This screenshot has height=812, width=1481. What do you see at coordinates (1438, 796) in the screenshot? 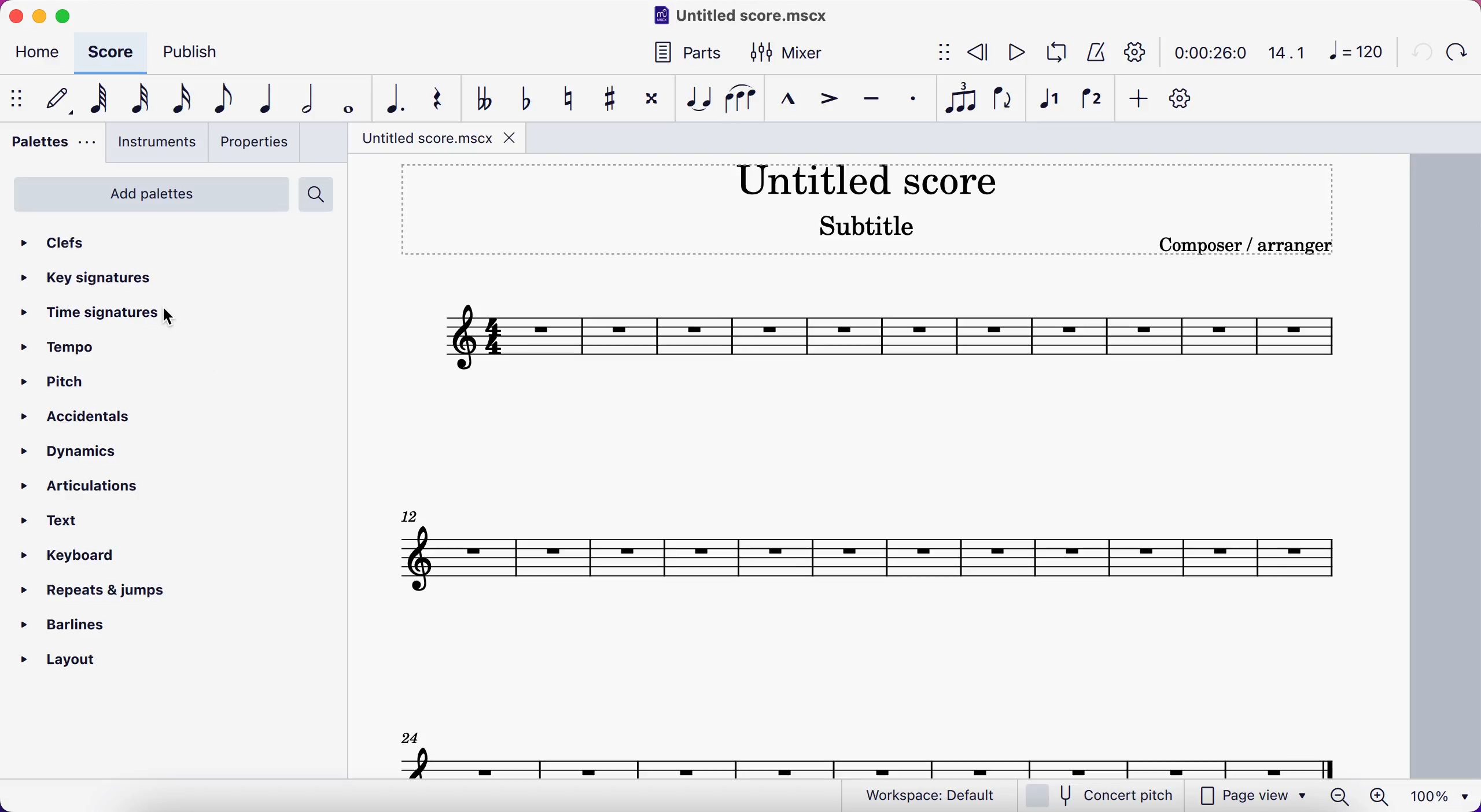
I see `100%` at bounding box center [1438, 796].